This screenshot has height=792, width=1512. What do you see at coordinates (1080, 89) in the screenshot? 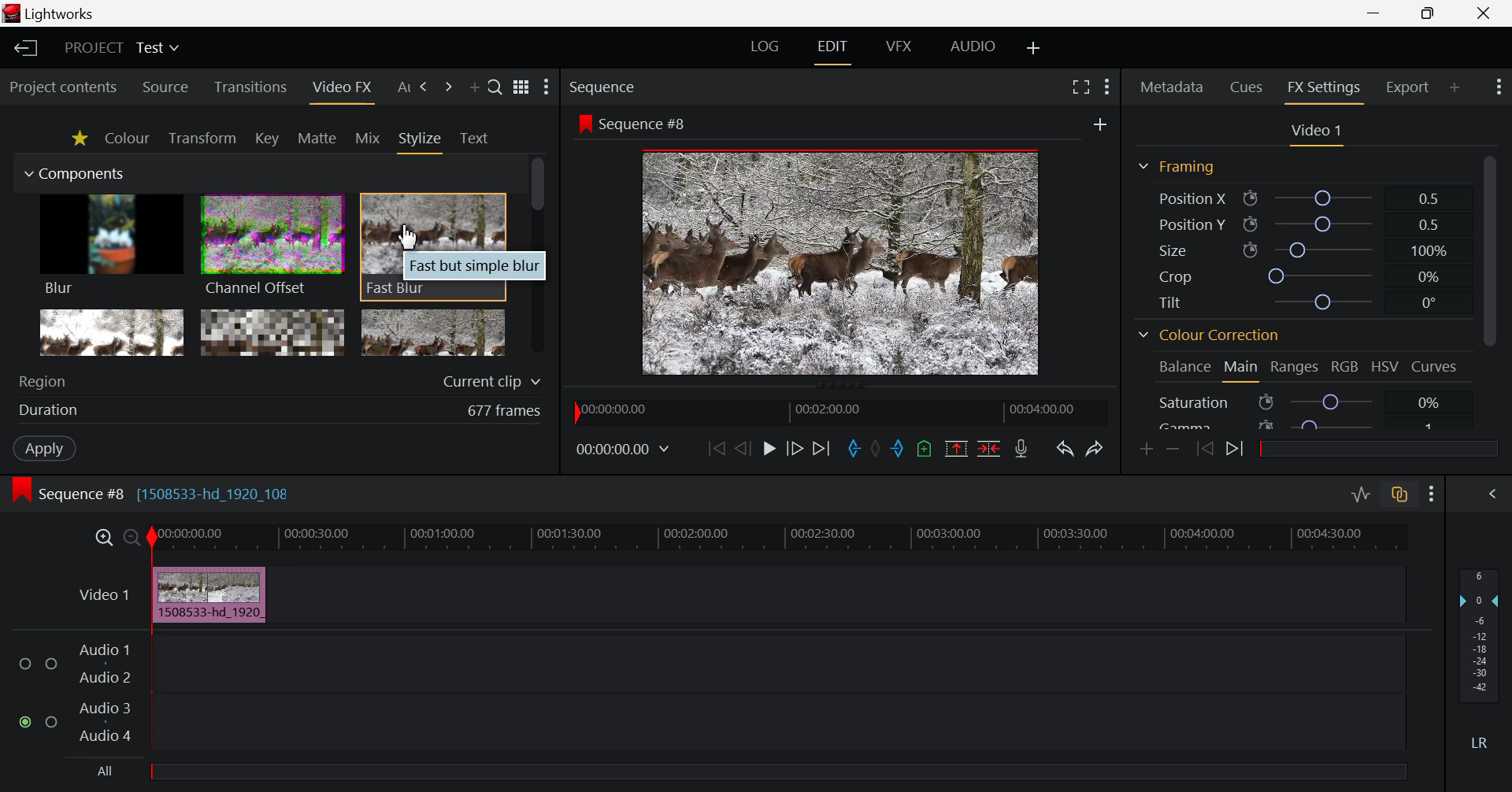
I see `Full Screen` at bounding box center [1080, 89].